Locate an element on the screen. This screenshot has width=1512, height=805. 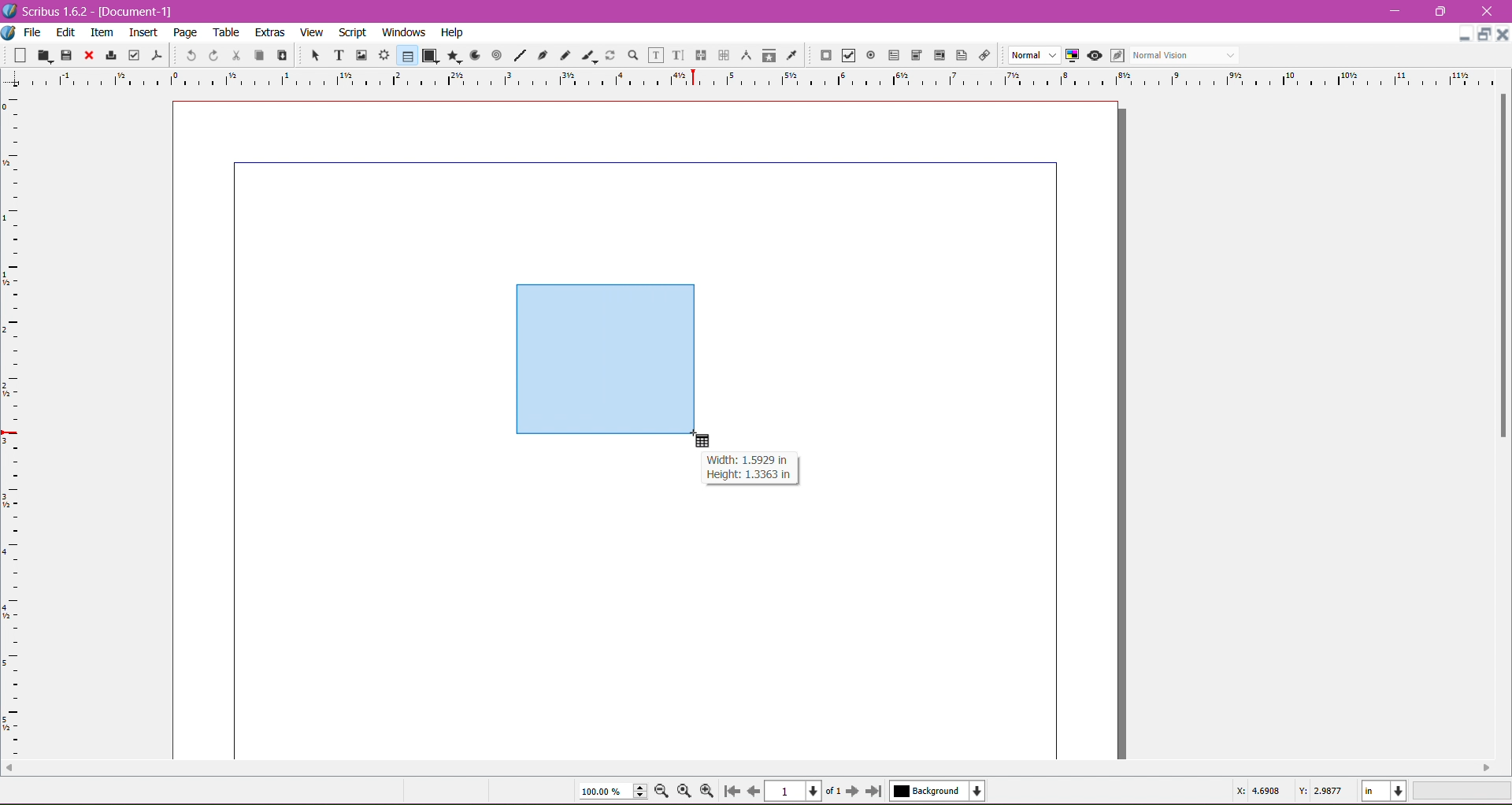
First Page is located at coordinates (731, 793).